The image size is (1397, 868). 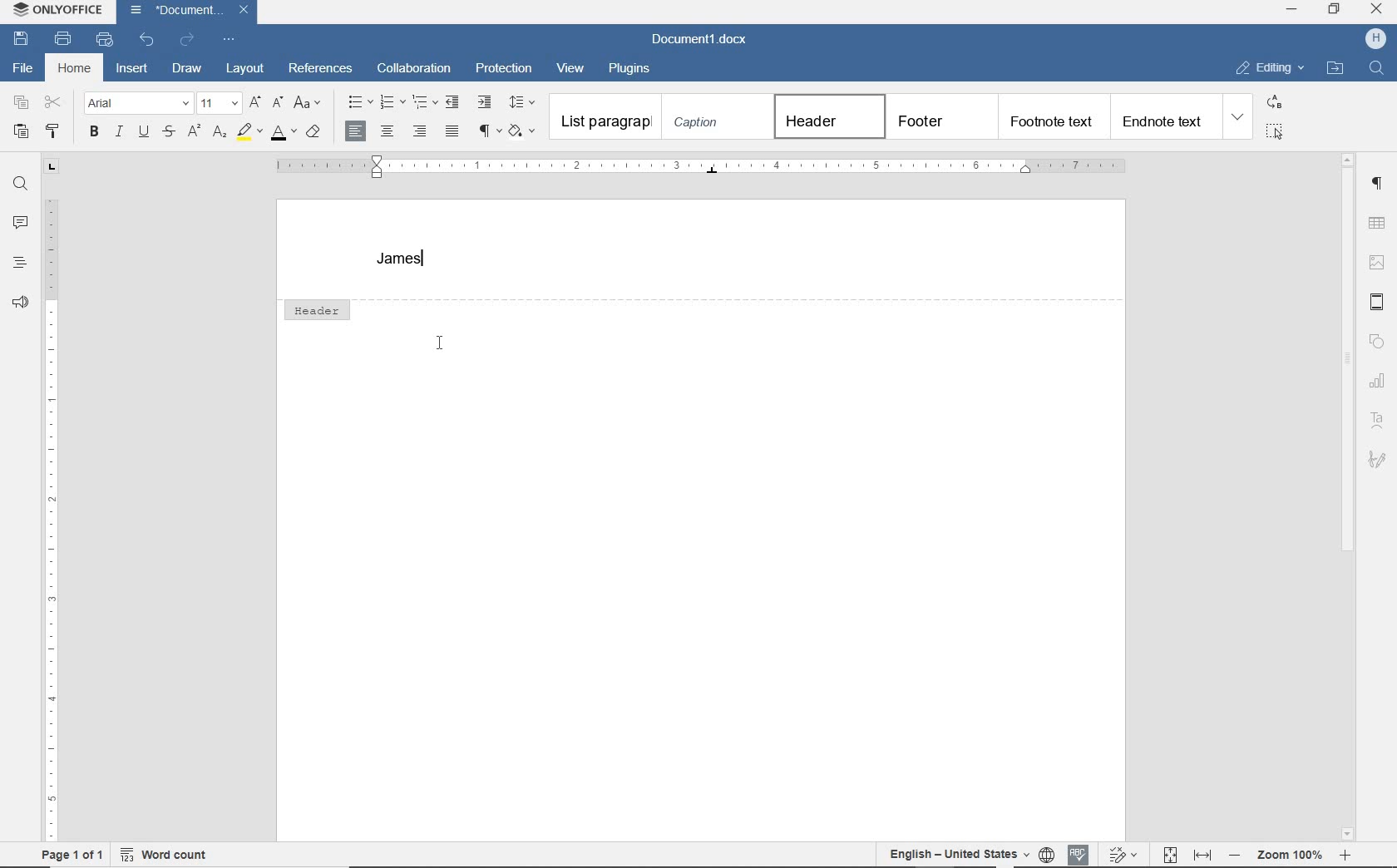 What do you see at coordinates (440, 345) in the screenshot?
I see `Text cursor` at bounding box center [440, 345].